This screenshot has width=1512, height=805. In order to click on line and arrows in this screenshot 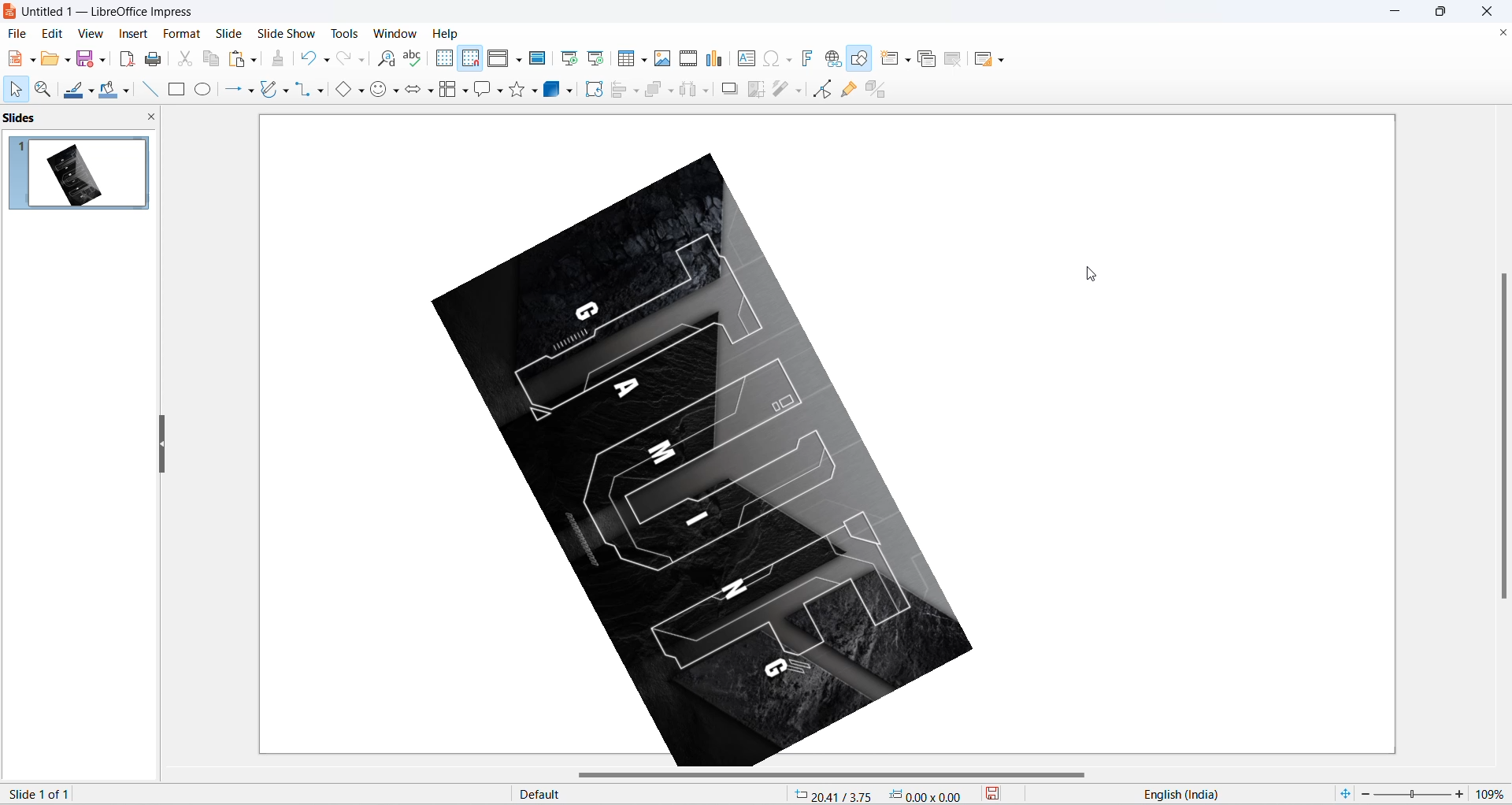, I will do `click(230, 90)`.